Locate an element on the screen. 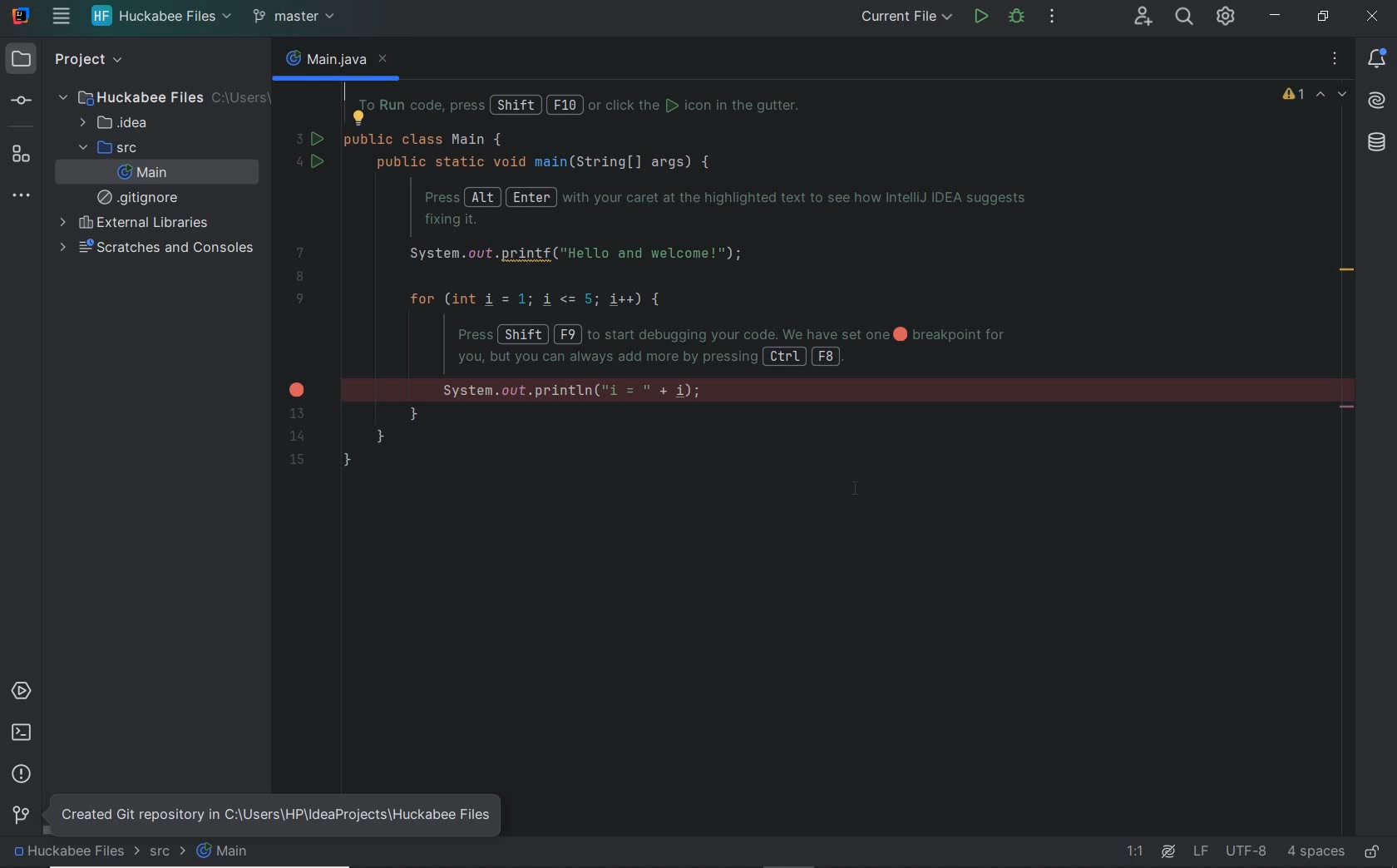 This screenshot has height=868, width=1397. src is located at coordinates (167, 853).